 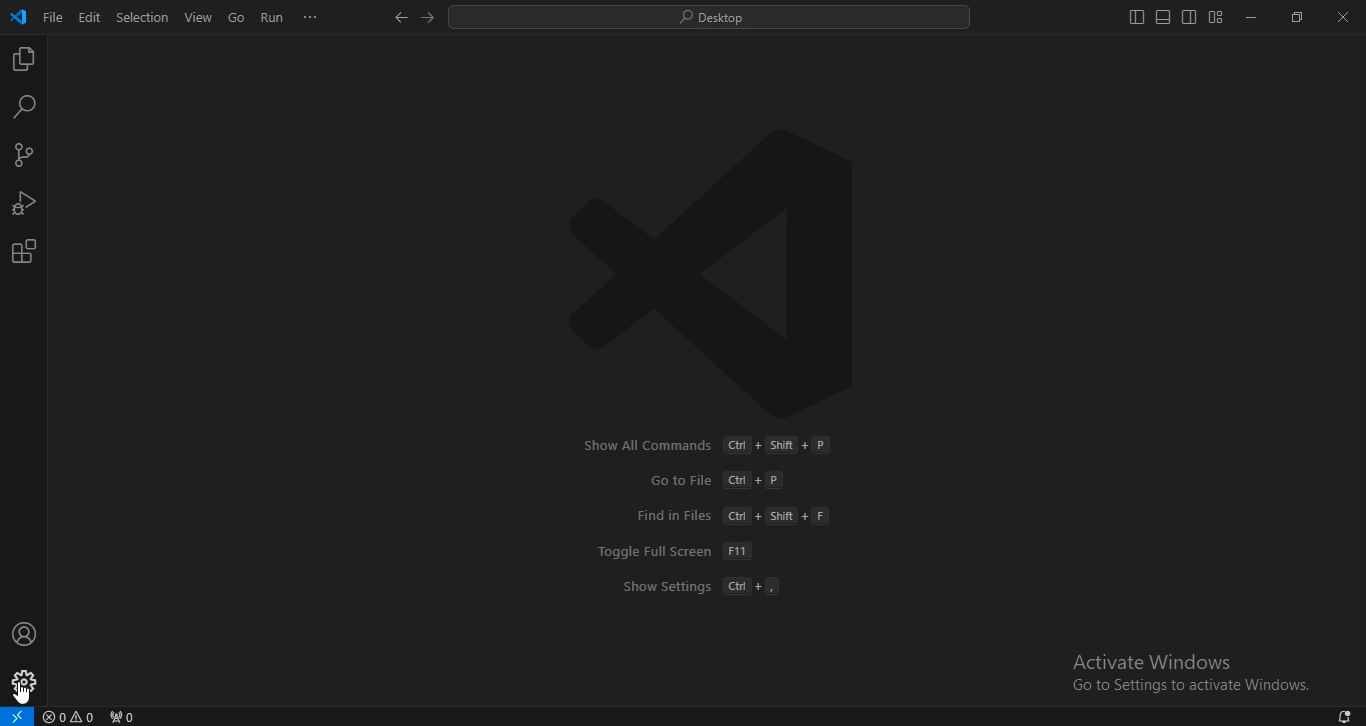 What do you see at coordinates (199, 18) in the screenshot?
I see `view` at bounding box center [199, 18].